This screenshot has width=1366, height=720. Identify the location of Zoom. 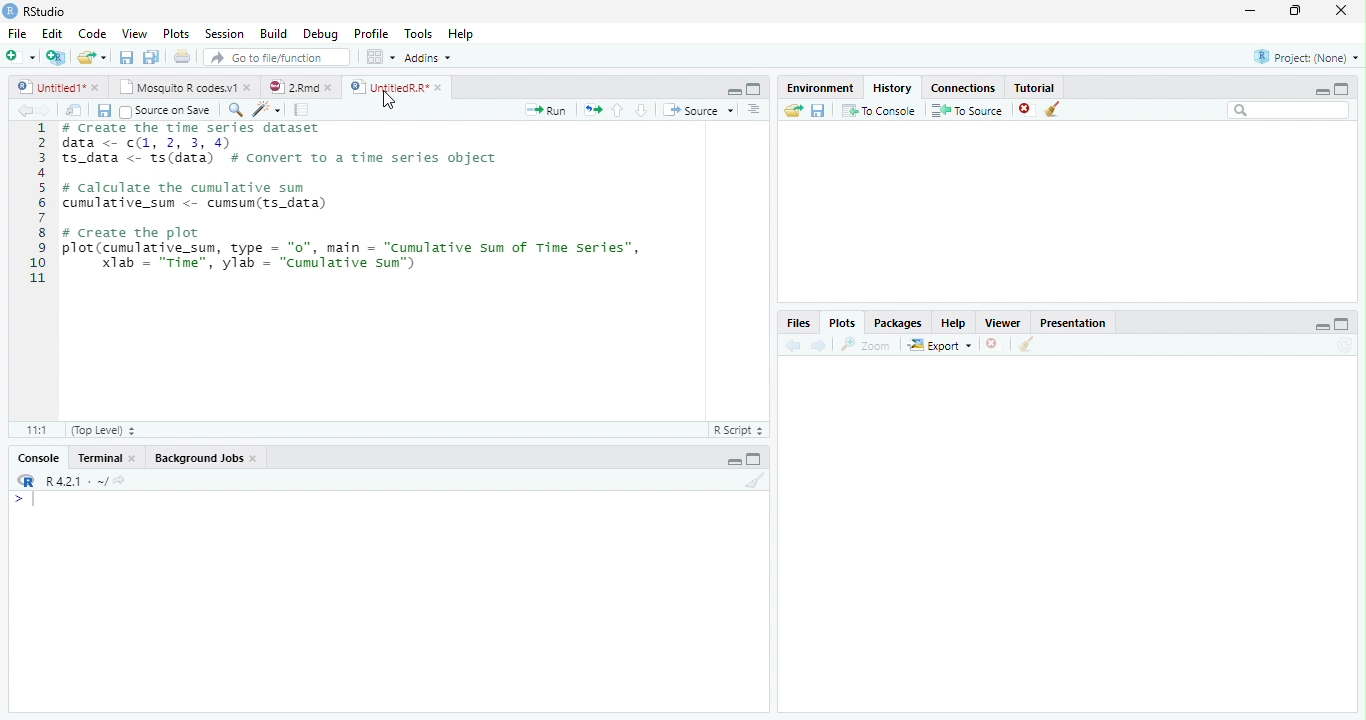
(237, 112).